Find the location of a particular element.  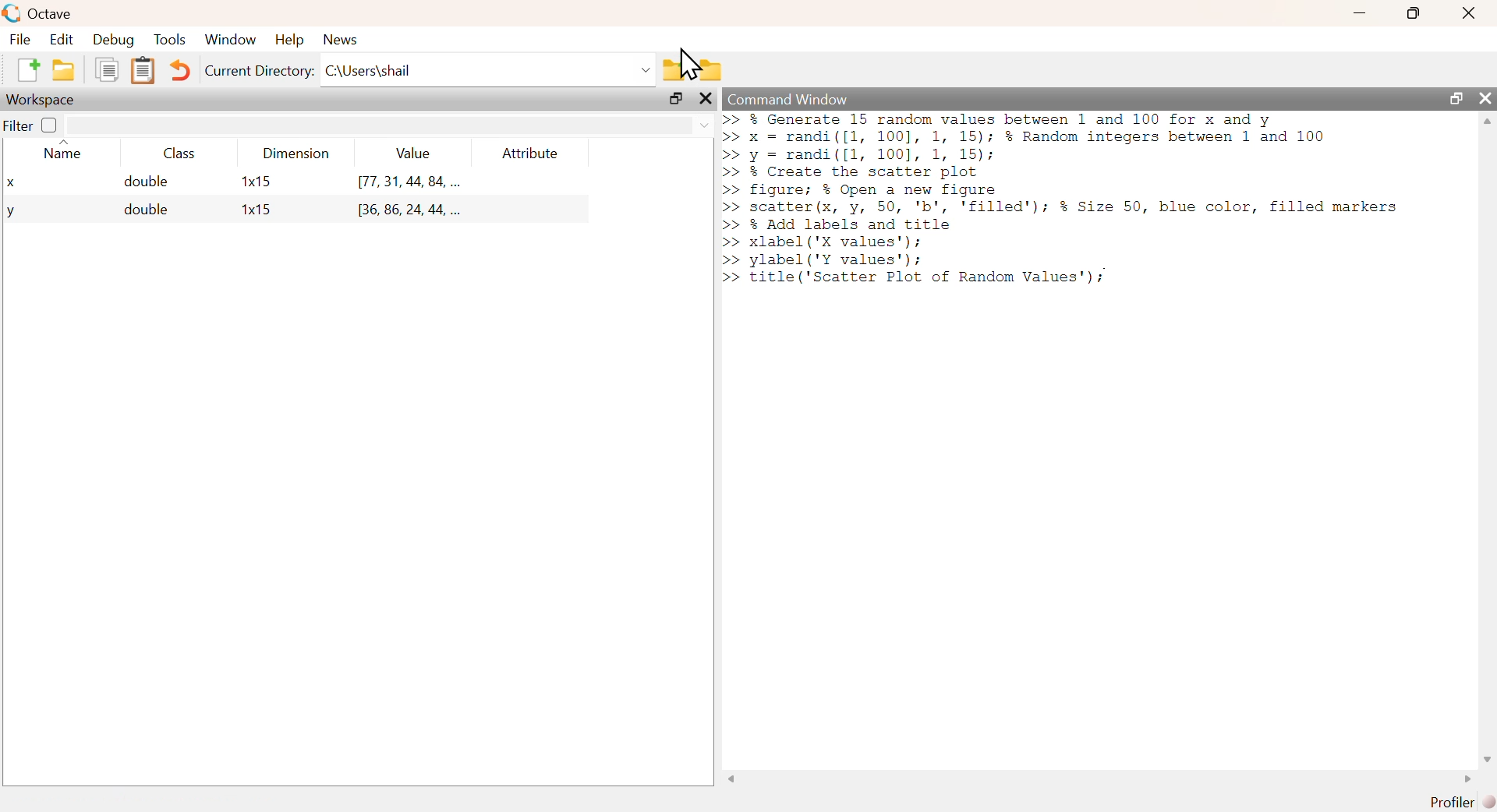

Window is located at coordinates (231, 40).